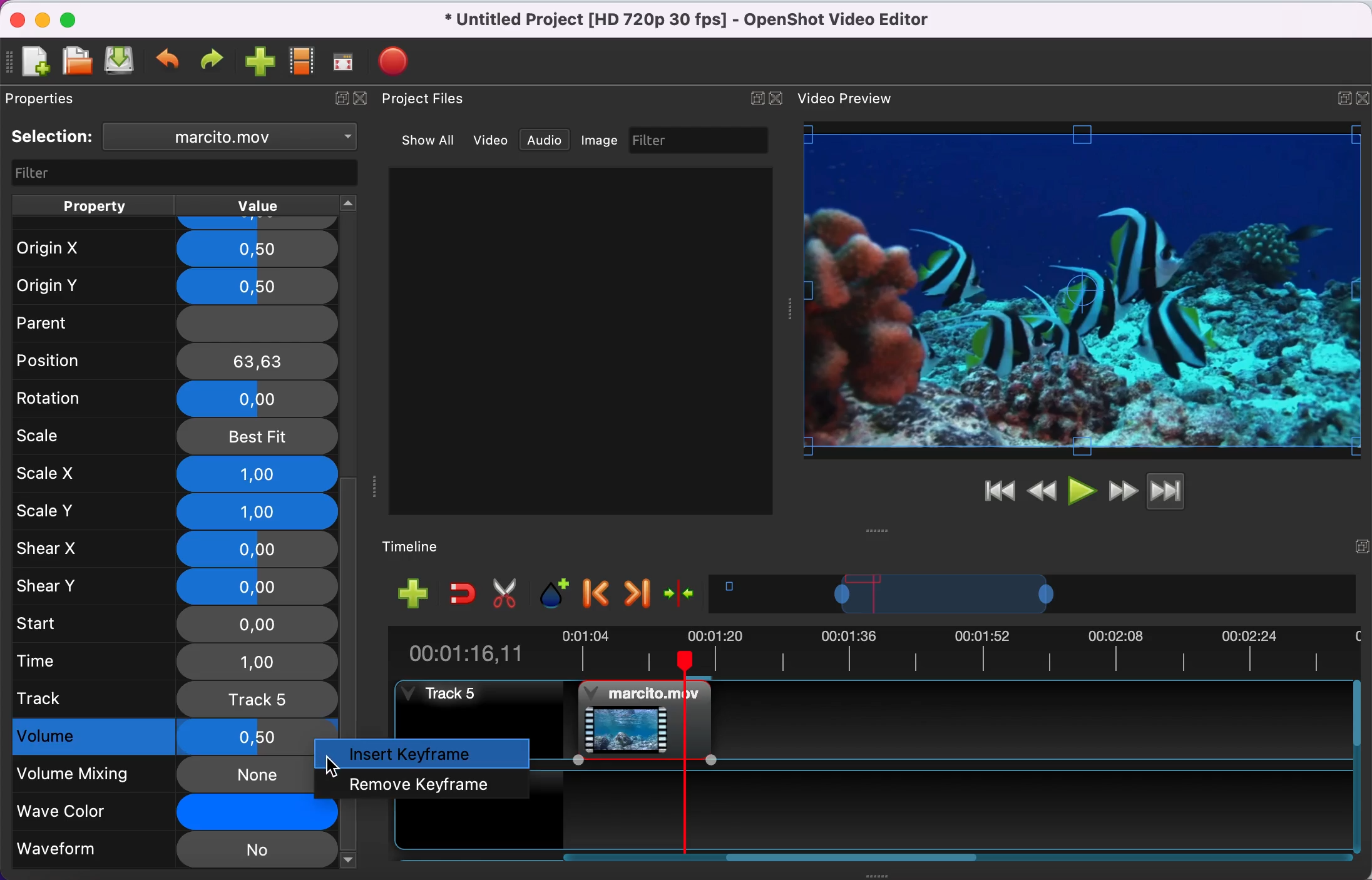 The width and height of the screenshot is (1372, 880). What do you see at coordinates (427, 754) in the screenshot?
I see `insert keyframe` at bounding box center [427, 754].